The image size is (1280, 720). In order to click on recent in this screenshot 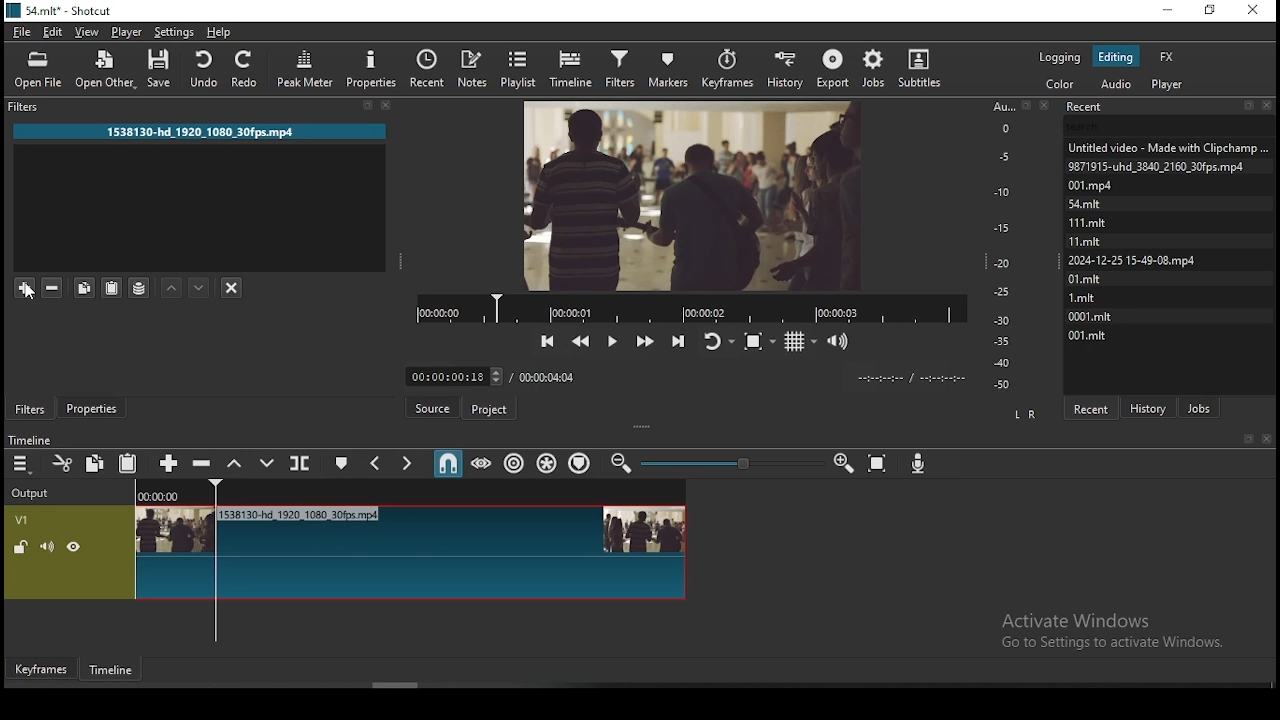, I will do `click(1170, 105)`.